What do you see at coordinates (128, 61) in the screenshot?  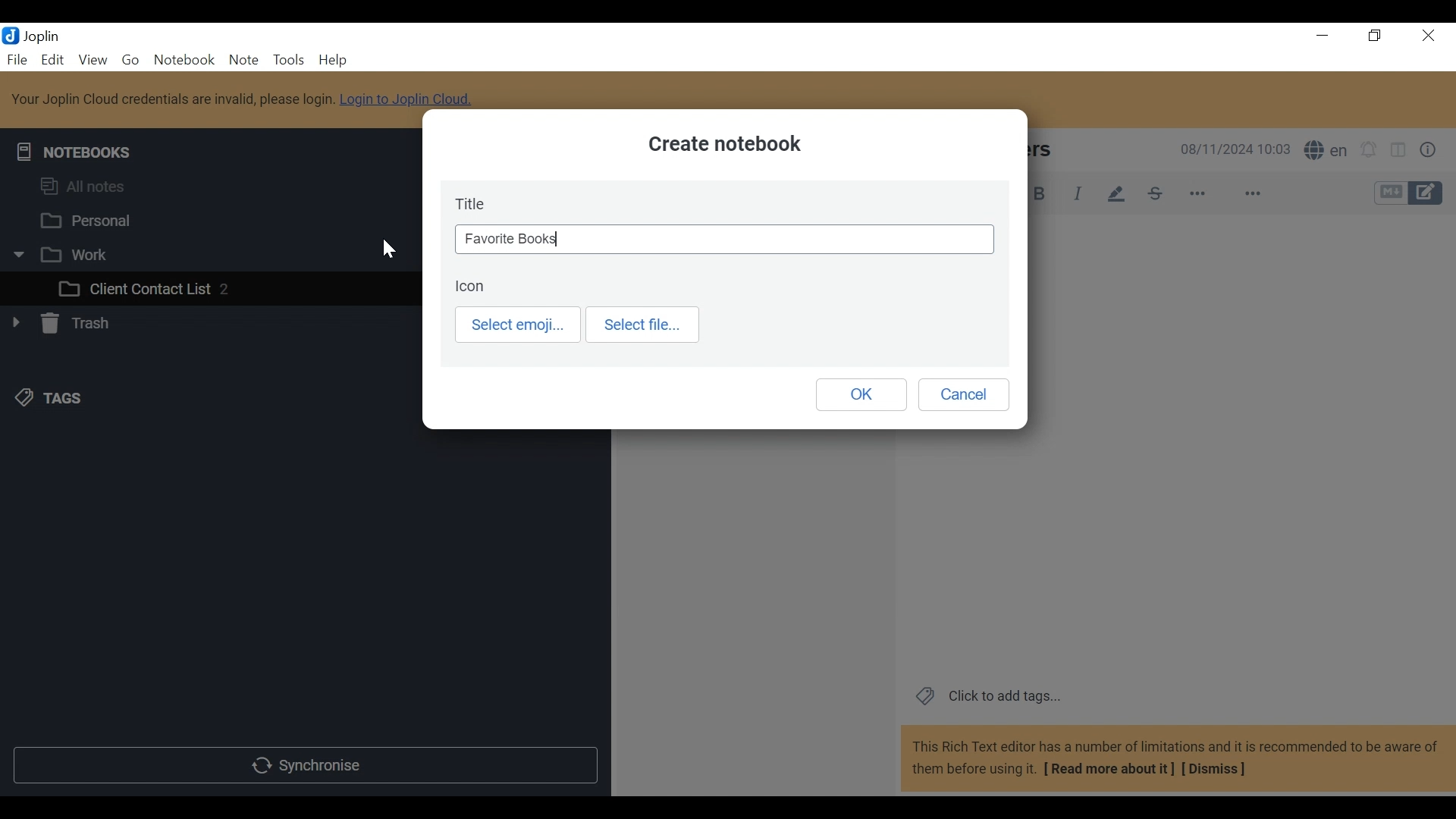 I see `Go` at bounding box center [128, 61].